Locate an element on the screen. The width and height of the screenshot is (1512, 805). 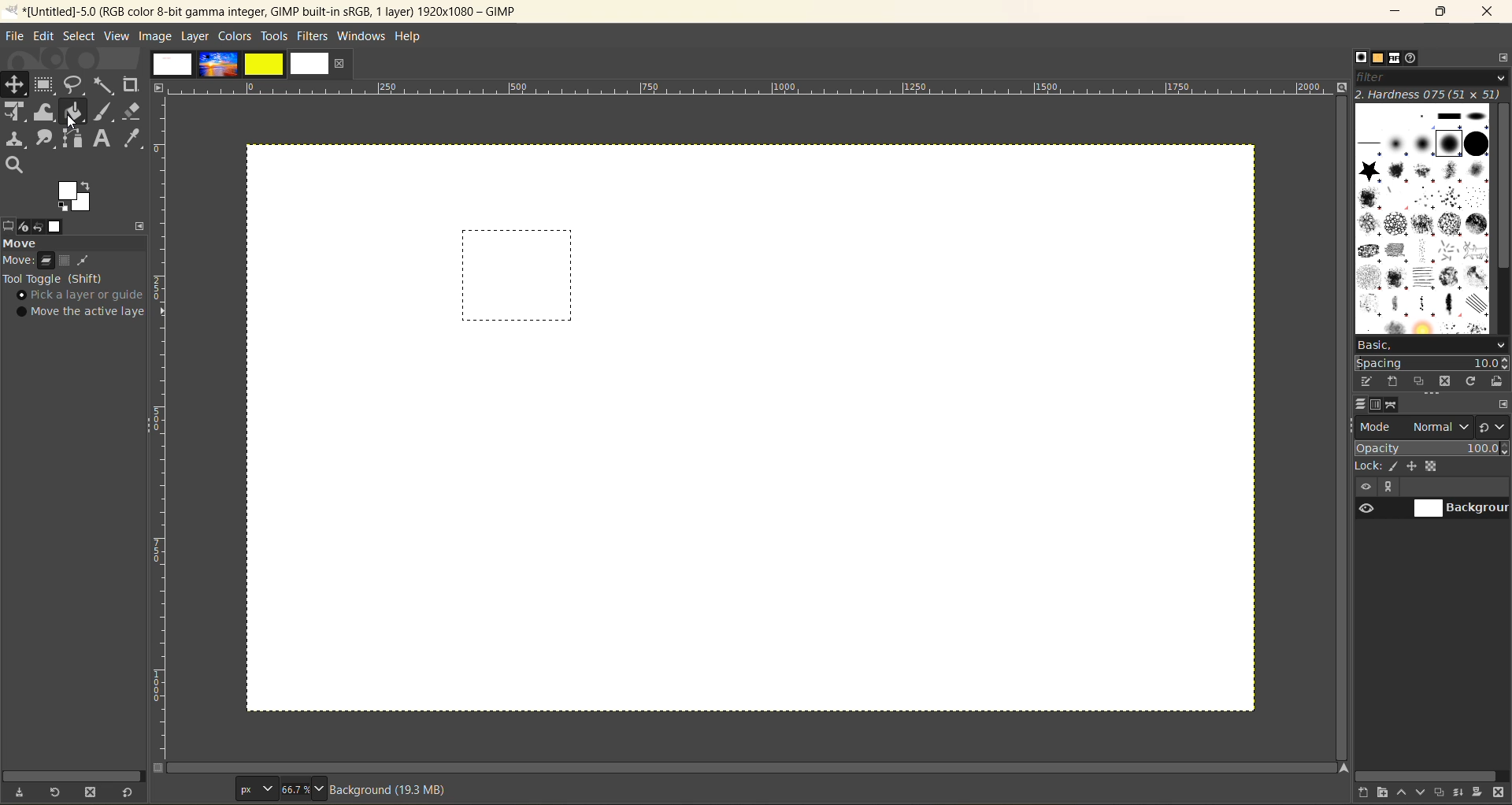
document history is located at coordinates (1413, 59).